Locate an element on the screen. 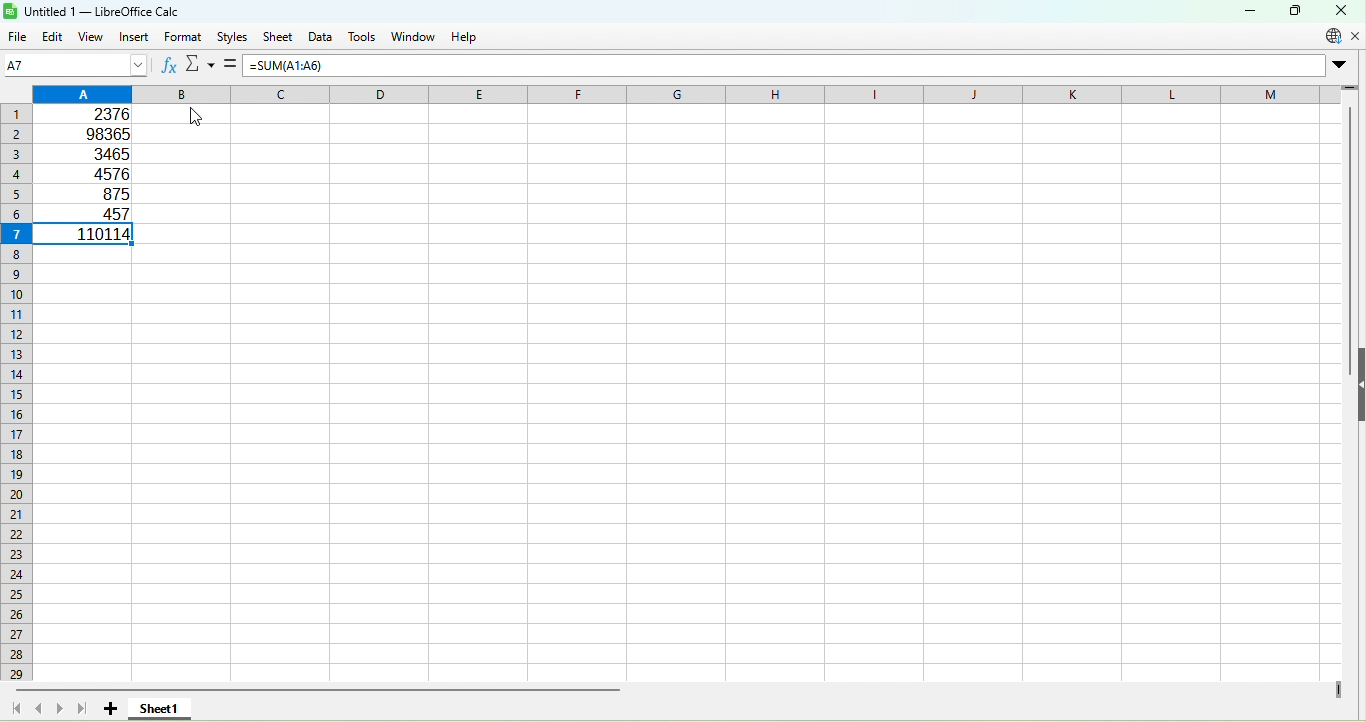 Image resolution: width=1366 pixels, height=722 pixels. Tools is located at coordinates (363, 38).